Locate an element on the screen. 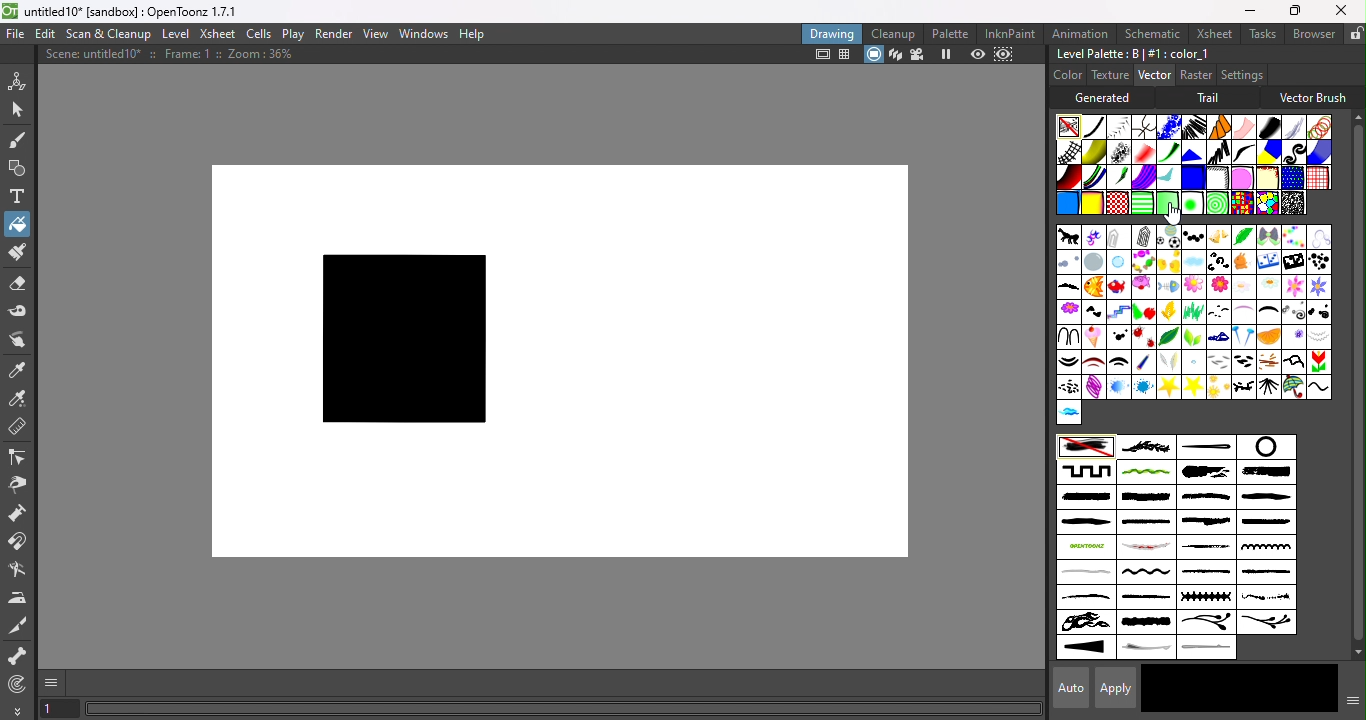 The width and height of the screenshot is (1366, 720). scratch is located at coordinates (1143, 548).